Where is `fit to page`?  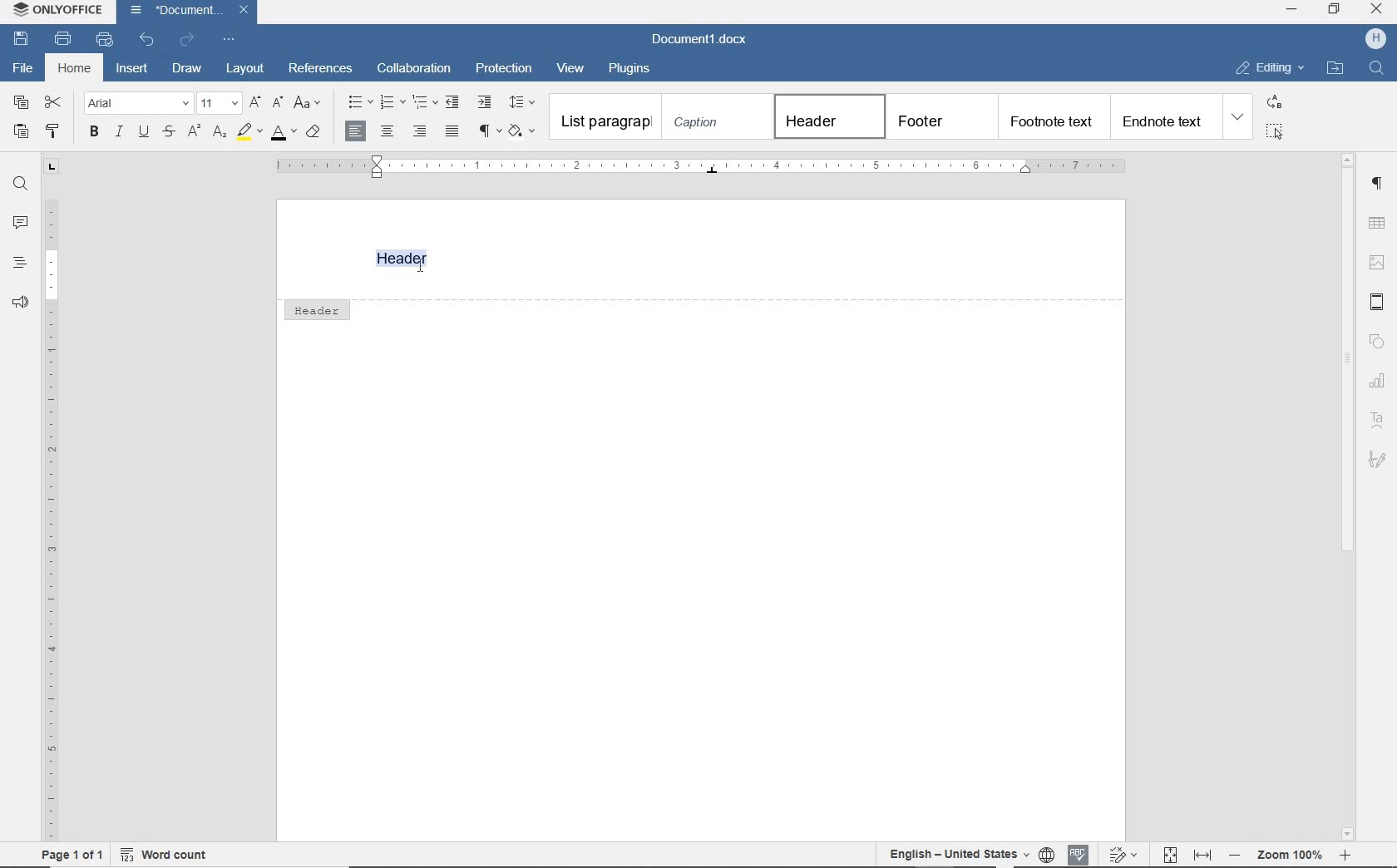
fit to page is located at coordinates (1169, 855).